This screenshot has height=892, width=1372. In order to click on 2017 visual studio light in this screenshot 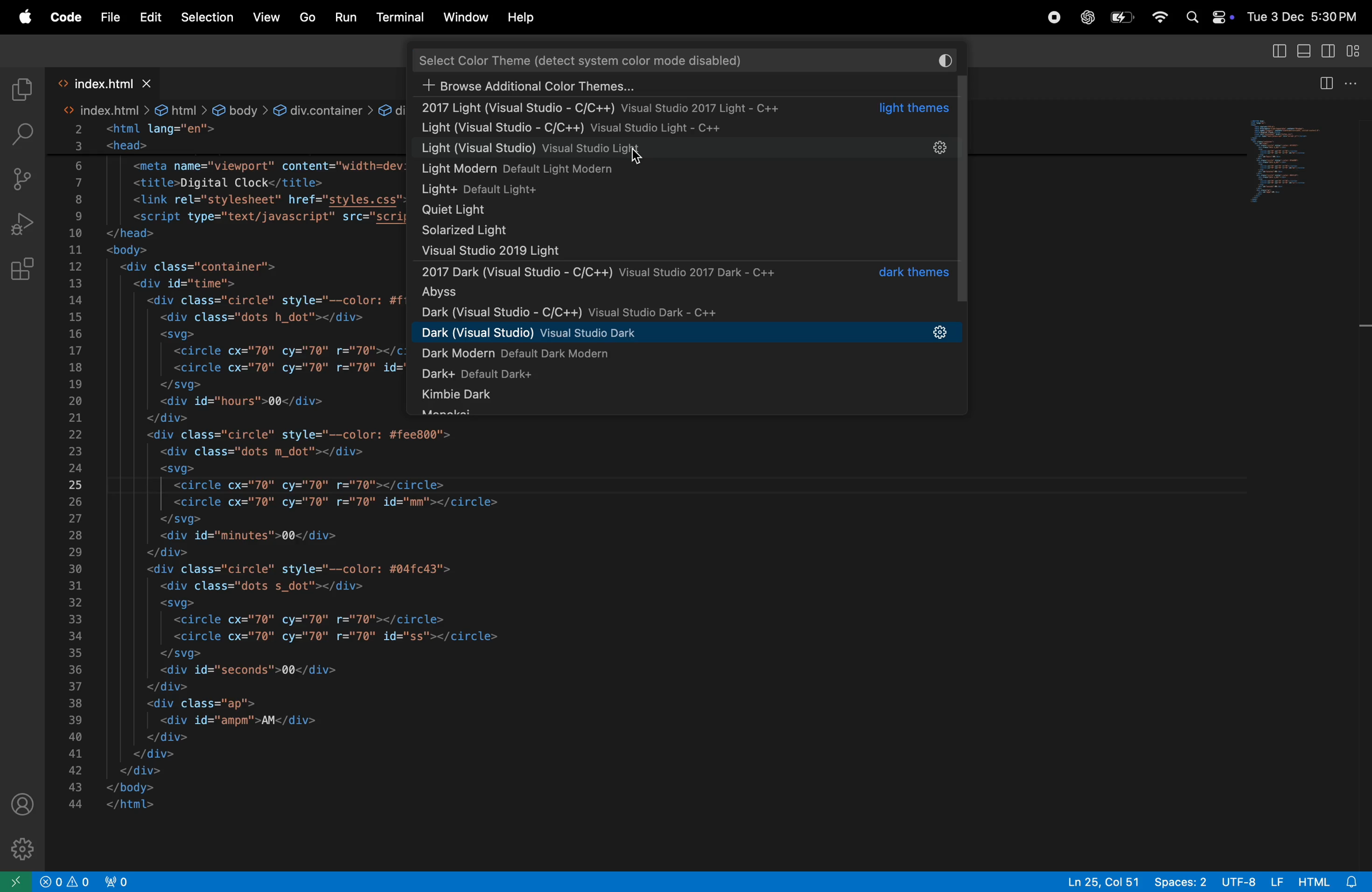, I will do `click(687, 109)`.